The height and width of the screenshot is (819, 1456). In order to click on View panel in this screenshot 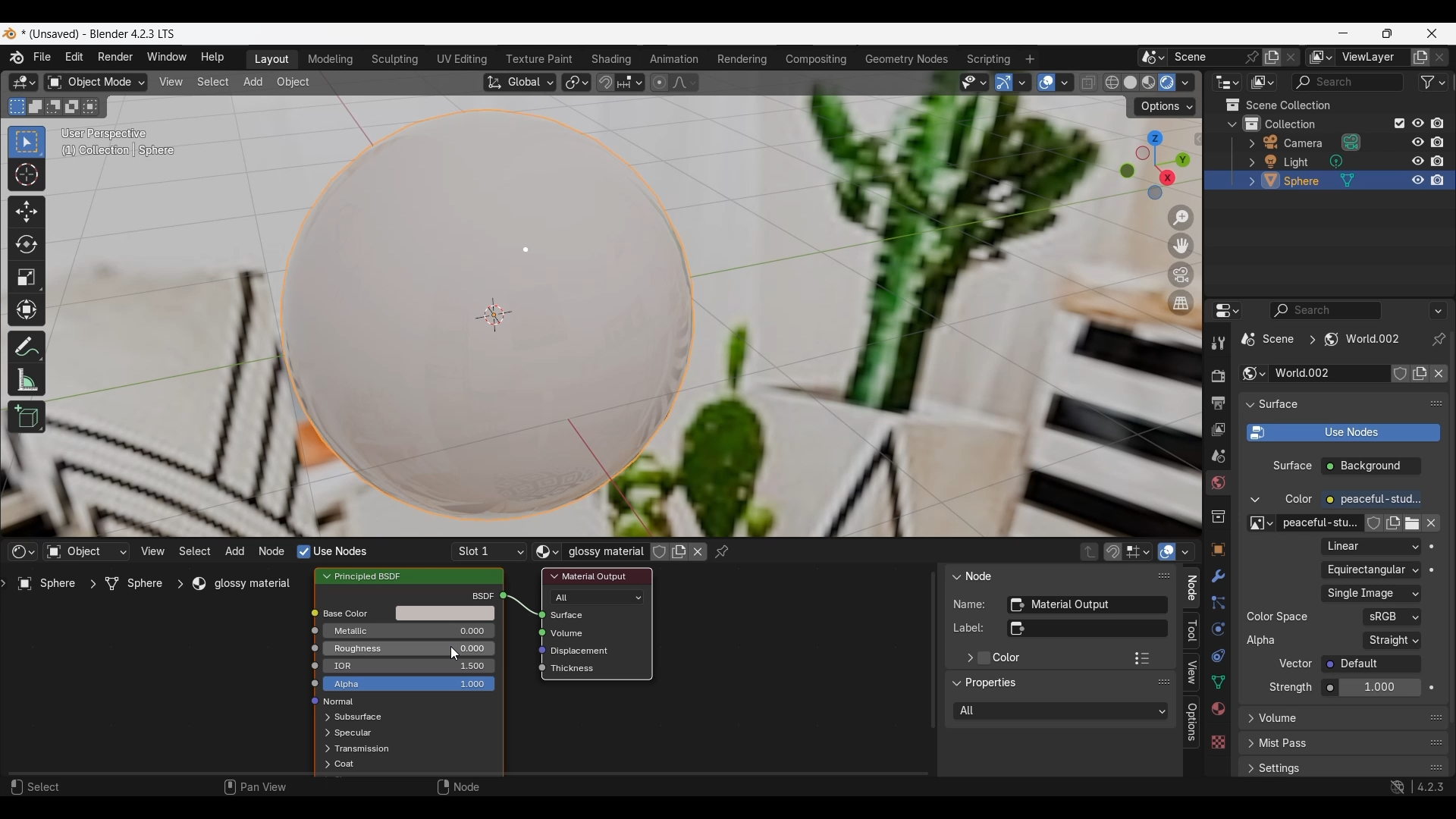, I will do `click(1191, 673)`.